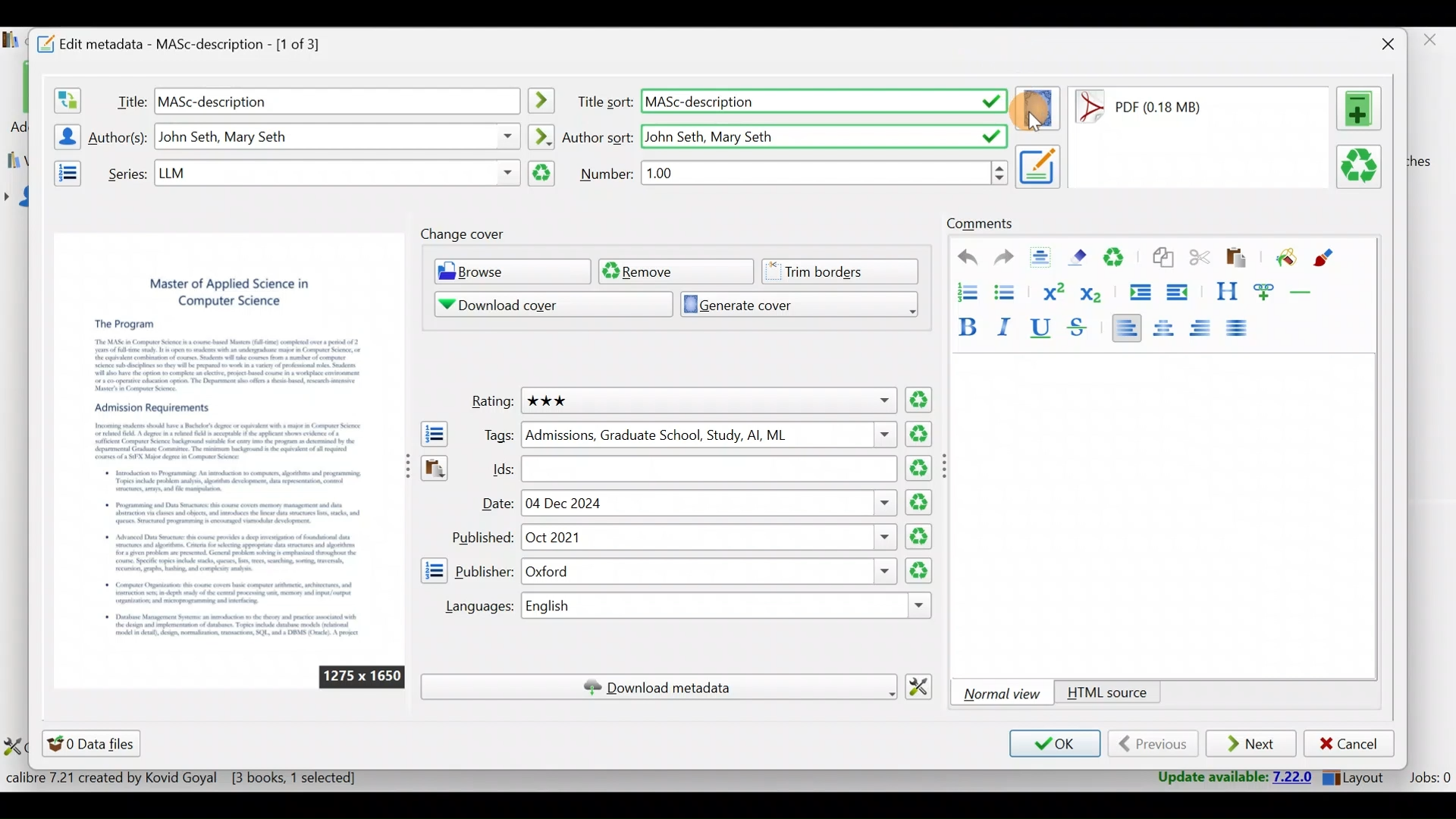 The image size is (1456, 819). I want to click on Clear date, so click(921, 537).